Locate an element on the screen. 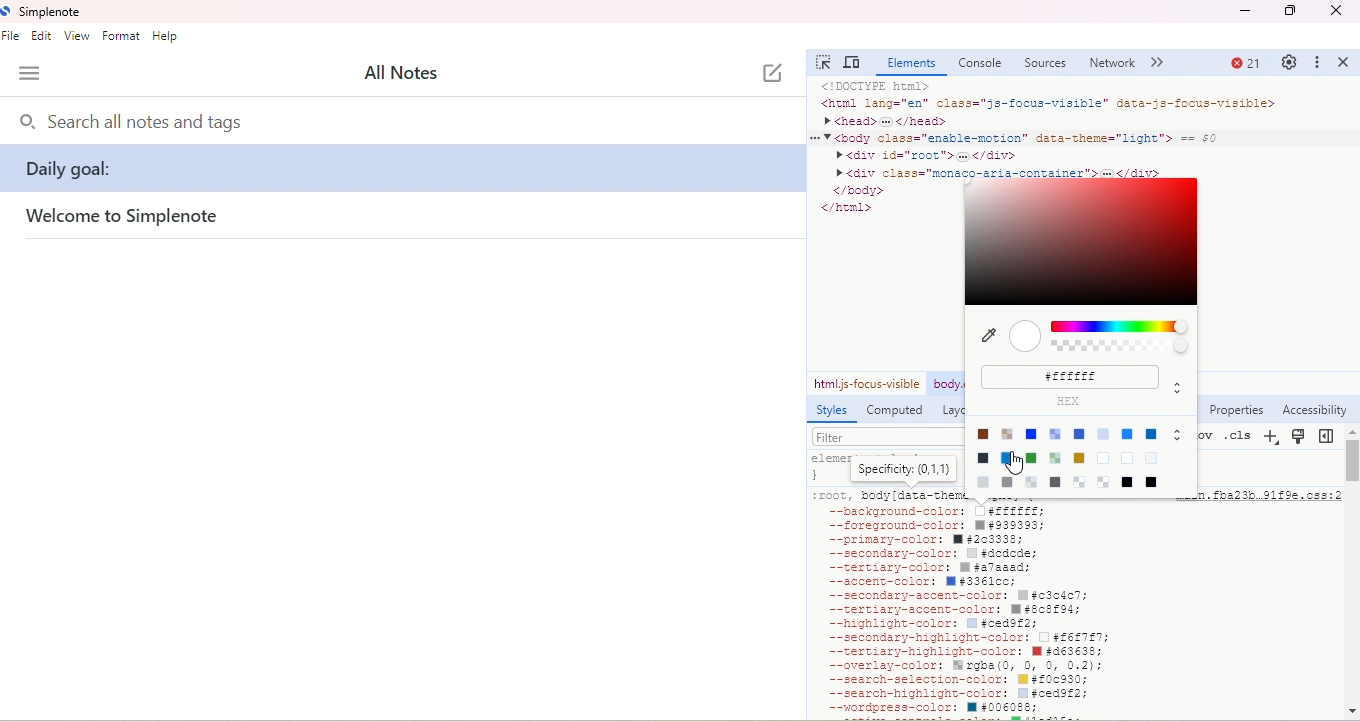 The width and height of the screenshot is (1360, 722). search-selection-color is located at coordinates (952, 681).